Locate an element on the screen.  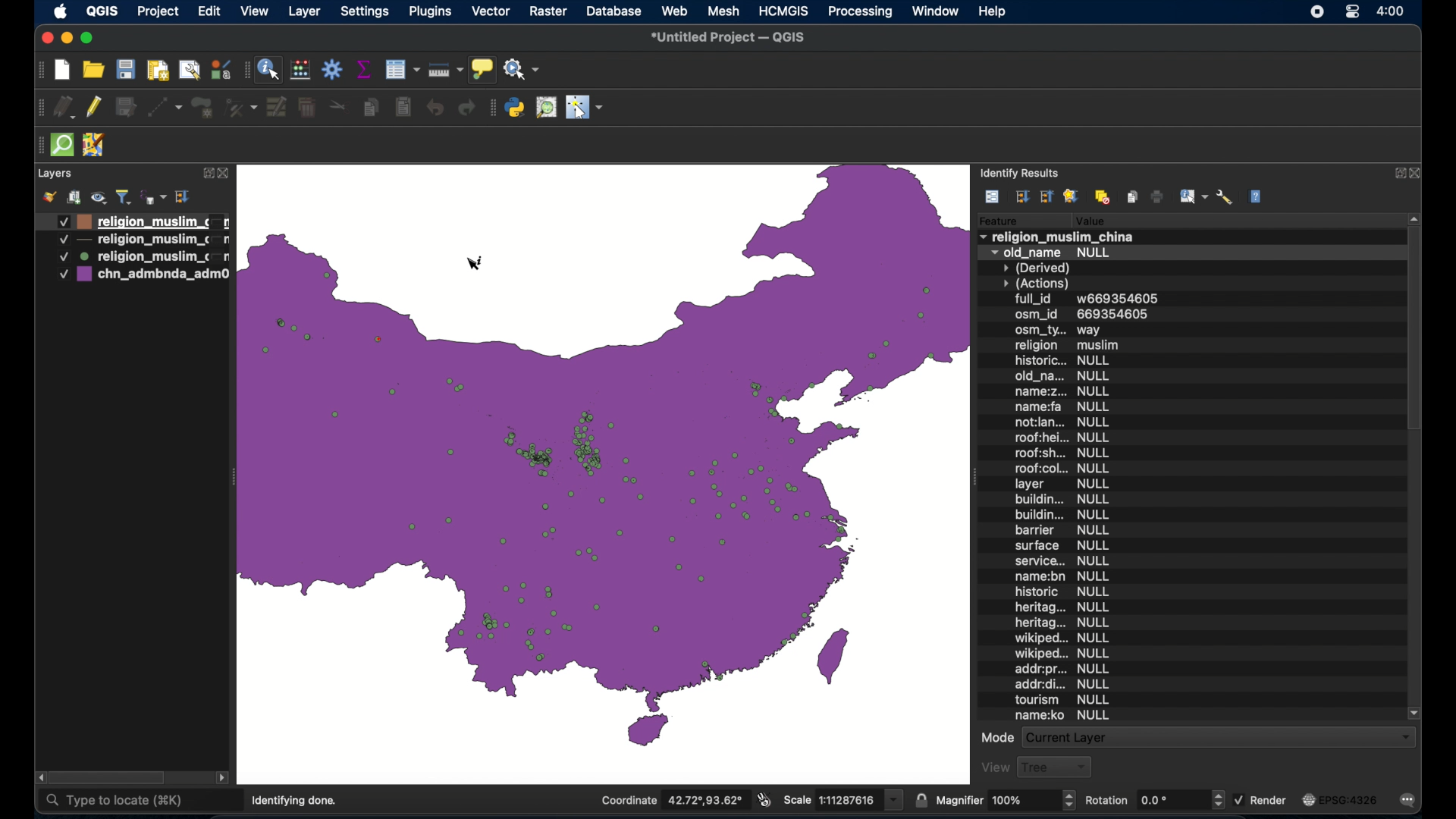
scale is located at coordinates (844, 799).